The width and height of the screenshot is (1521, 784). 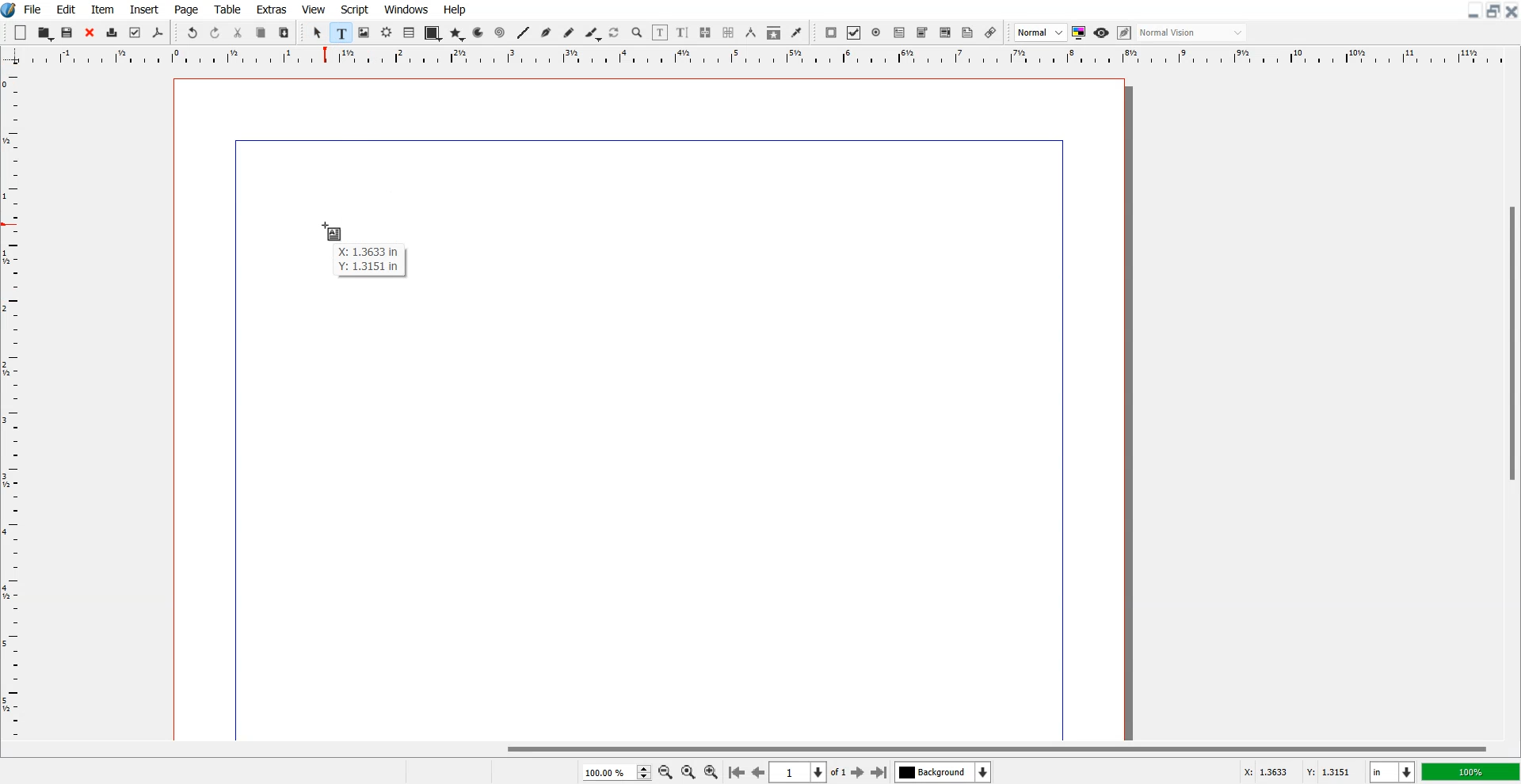 What do you see at coordinates (760, 748) in the screenshot?
I see `Horizontal scroll bar` at bounding box center [760, 748].